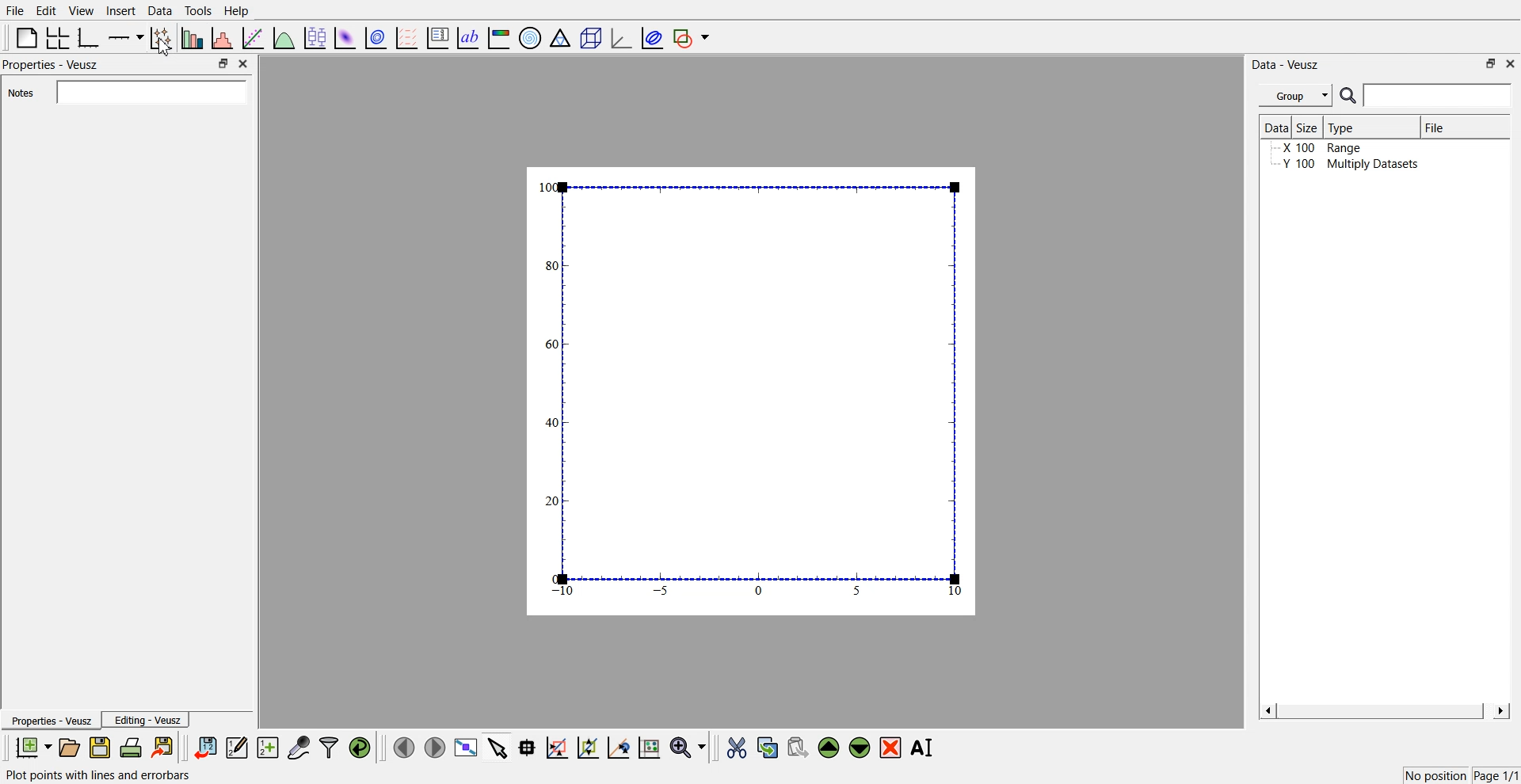  I want to click on capture data points, so click(299, 748).